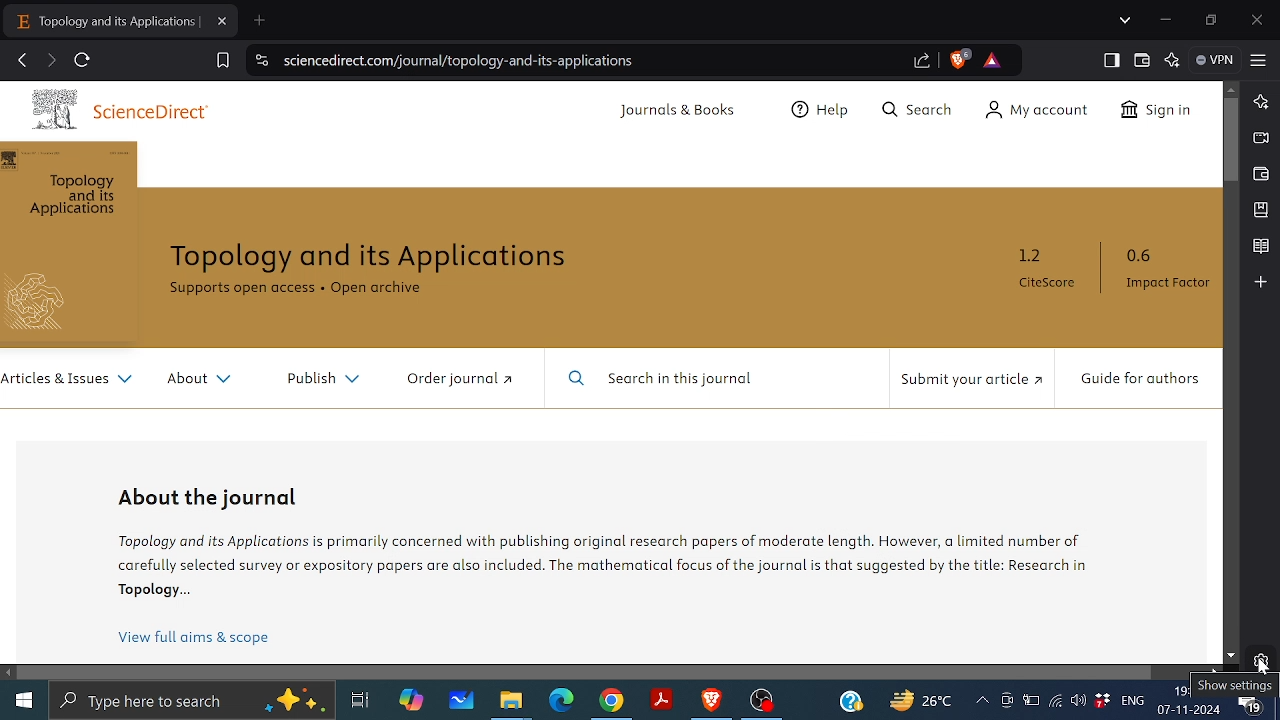  I want to click on Whiteboard, so click(462, 701).